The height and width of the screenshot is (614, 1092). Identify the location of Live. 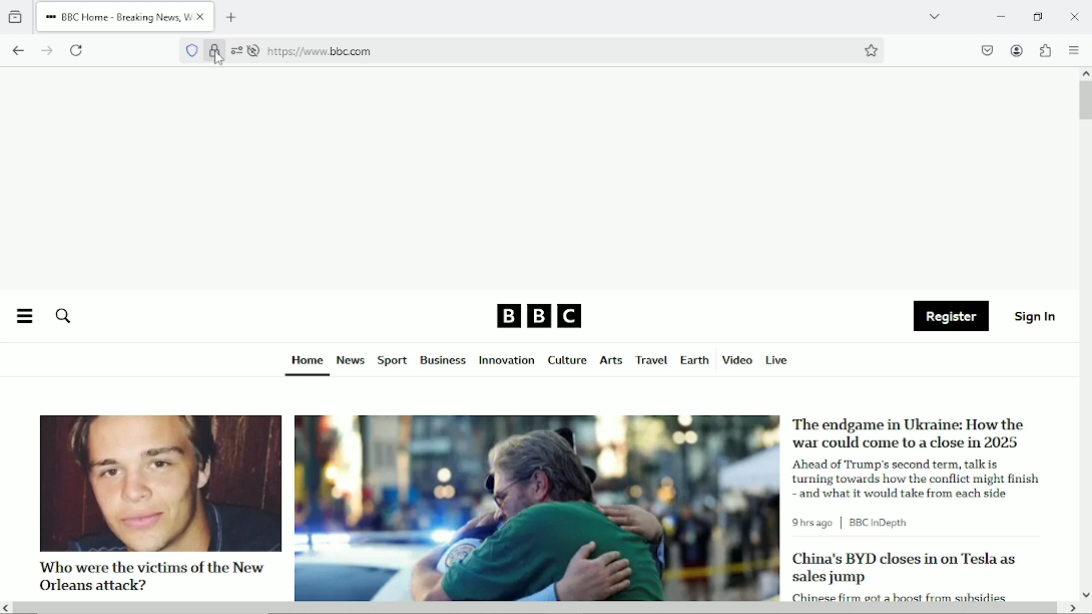
(777, 359).